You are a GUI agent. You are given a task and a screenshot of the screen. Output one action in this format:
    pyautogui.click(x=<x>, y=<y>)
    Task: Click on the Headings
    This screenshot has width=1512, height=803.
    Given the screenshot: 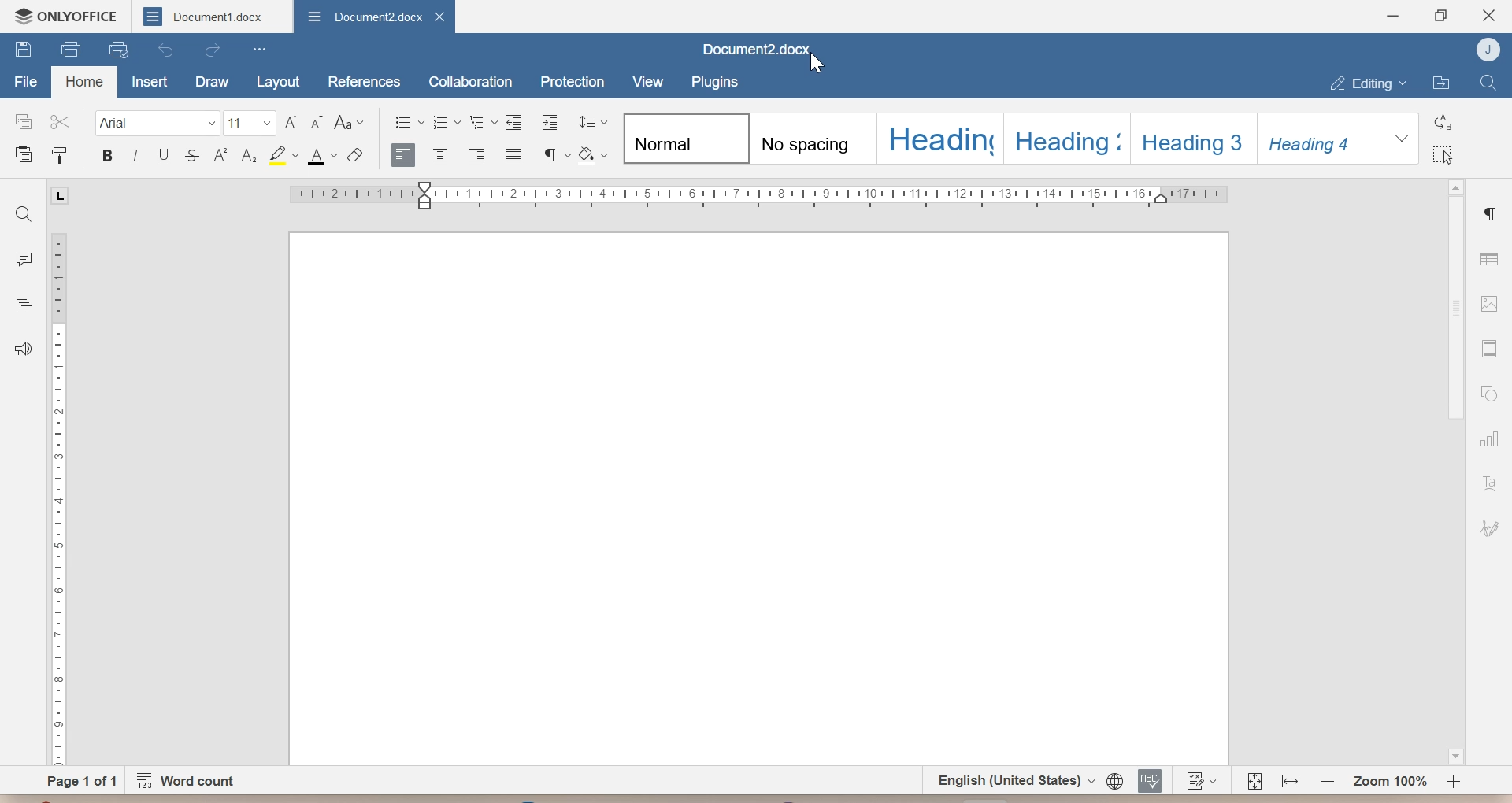 What is the action you would take?
    pyautogui.click(x=21, y=304)
    